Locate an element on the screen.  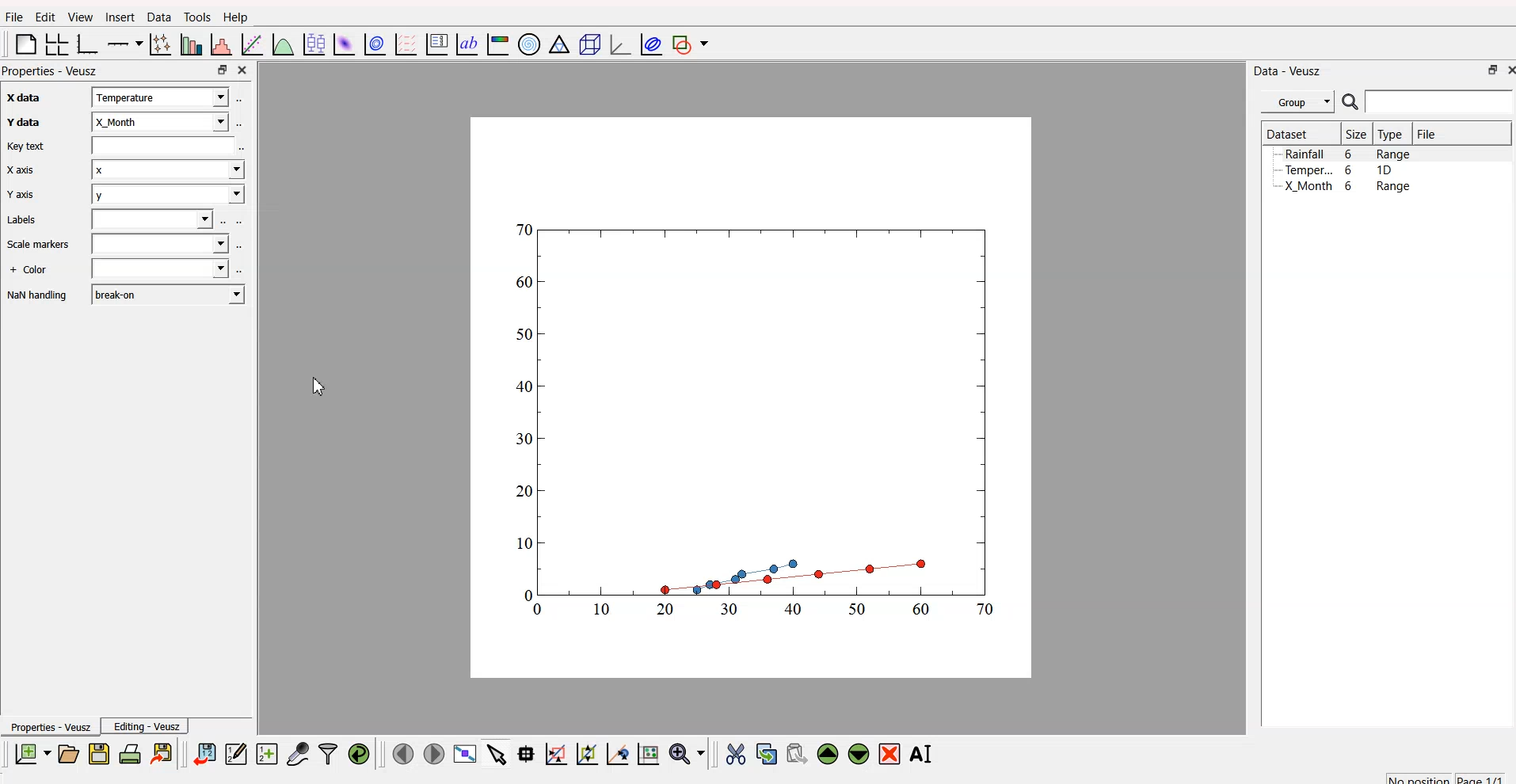
Group is located at coordinates (1297, 102).